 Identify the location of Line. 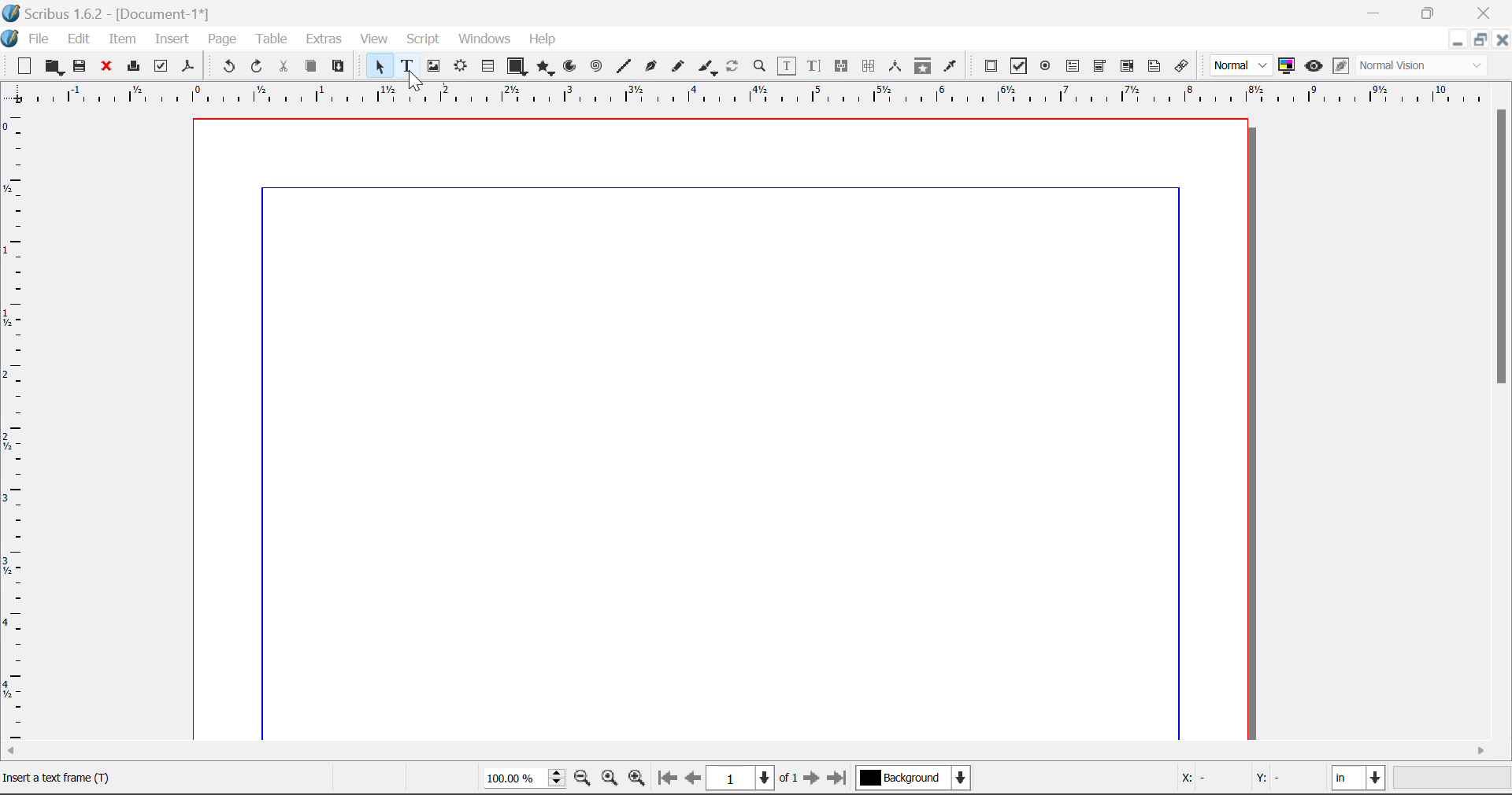
(624, 66).